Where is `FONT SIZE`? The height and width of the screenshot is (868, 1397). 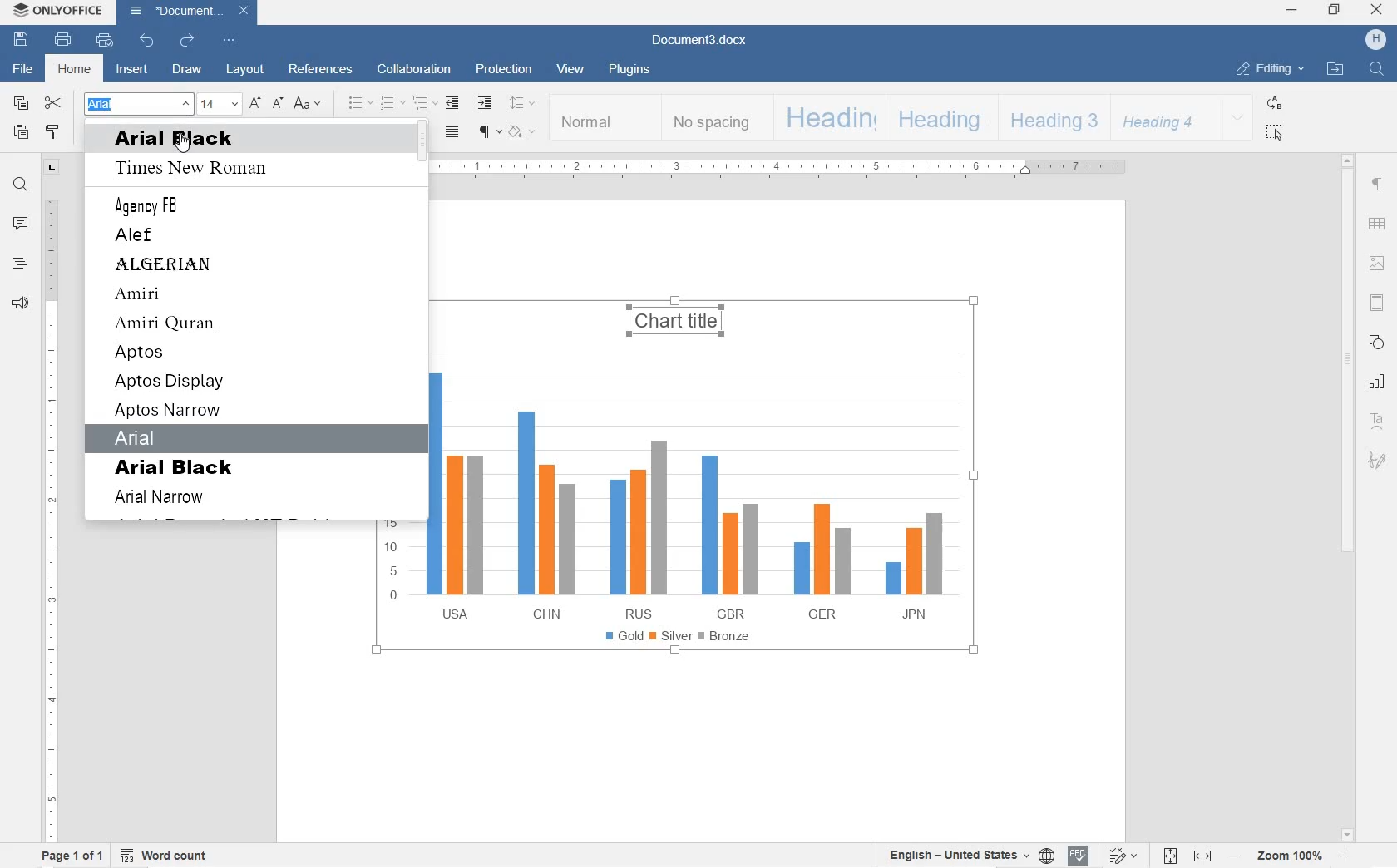
FONT SIZE is located at coordinates (220, 104).